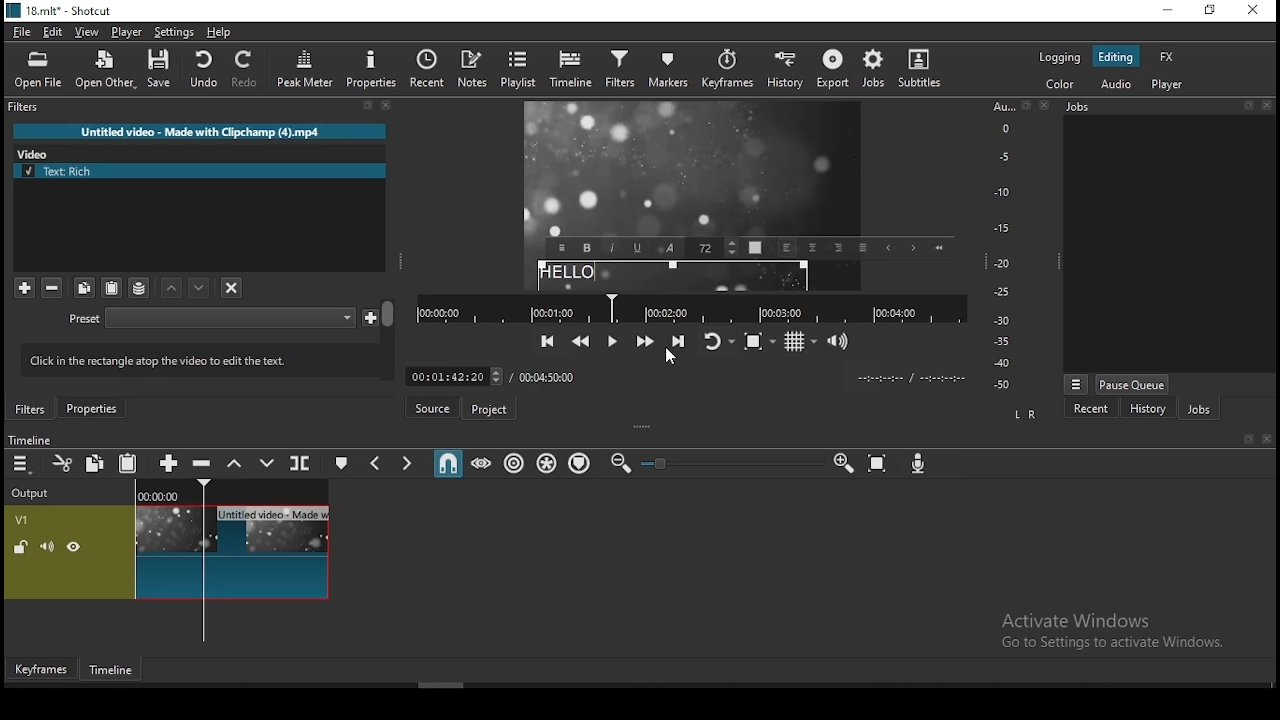 The image size is (1280, 720). What do you see at coordinates (1266, 439) in the screenshot?
I see `Close` at bounding box center [1266, 439].